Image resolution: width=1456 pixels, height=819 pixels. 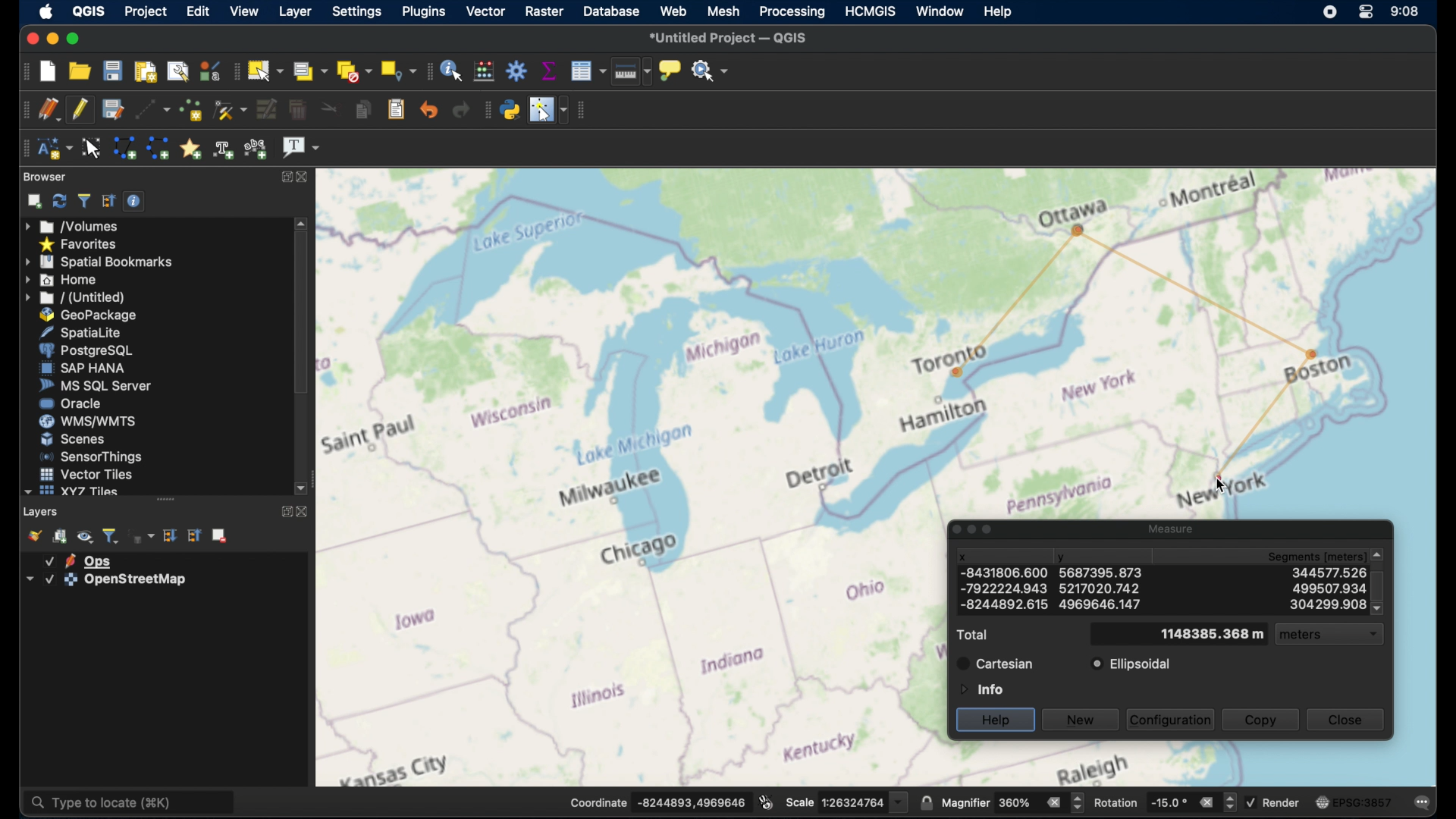 What do you see at coordinates (197, 11) in the screenshot?
I see `edit` at bounding box center [197, 11].